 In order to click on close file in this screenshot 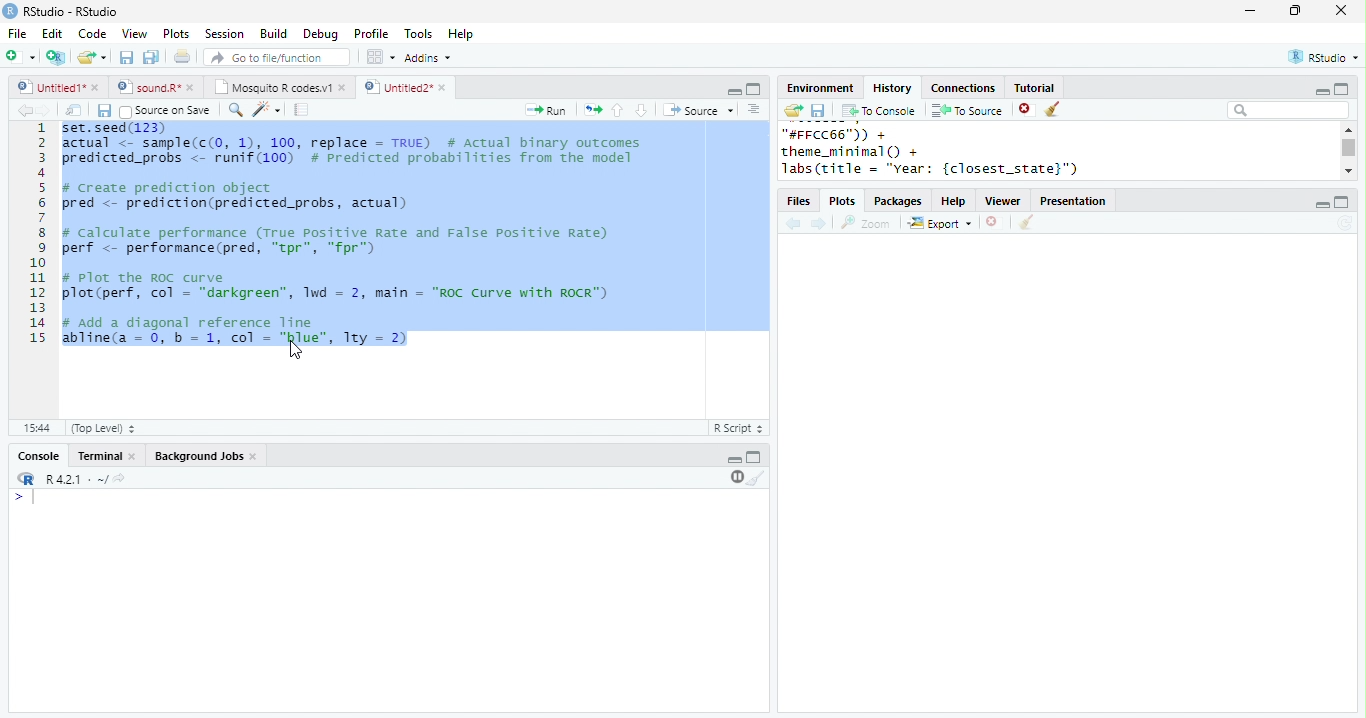, I will do `click(1027, 110)`.